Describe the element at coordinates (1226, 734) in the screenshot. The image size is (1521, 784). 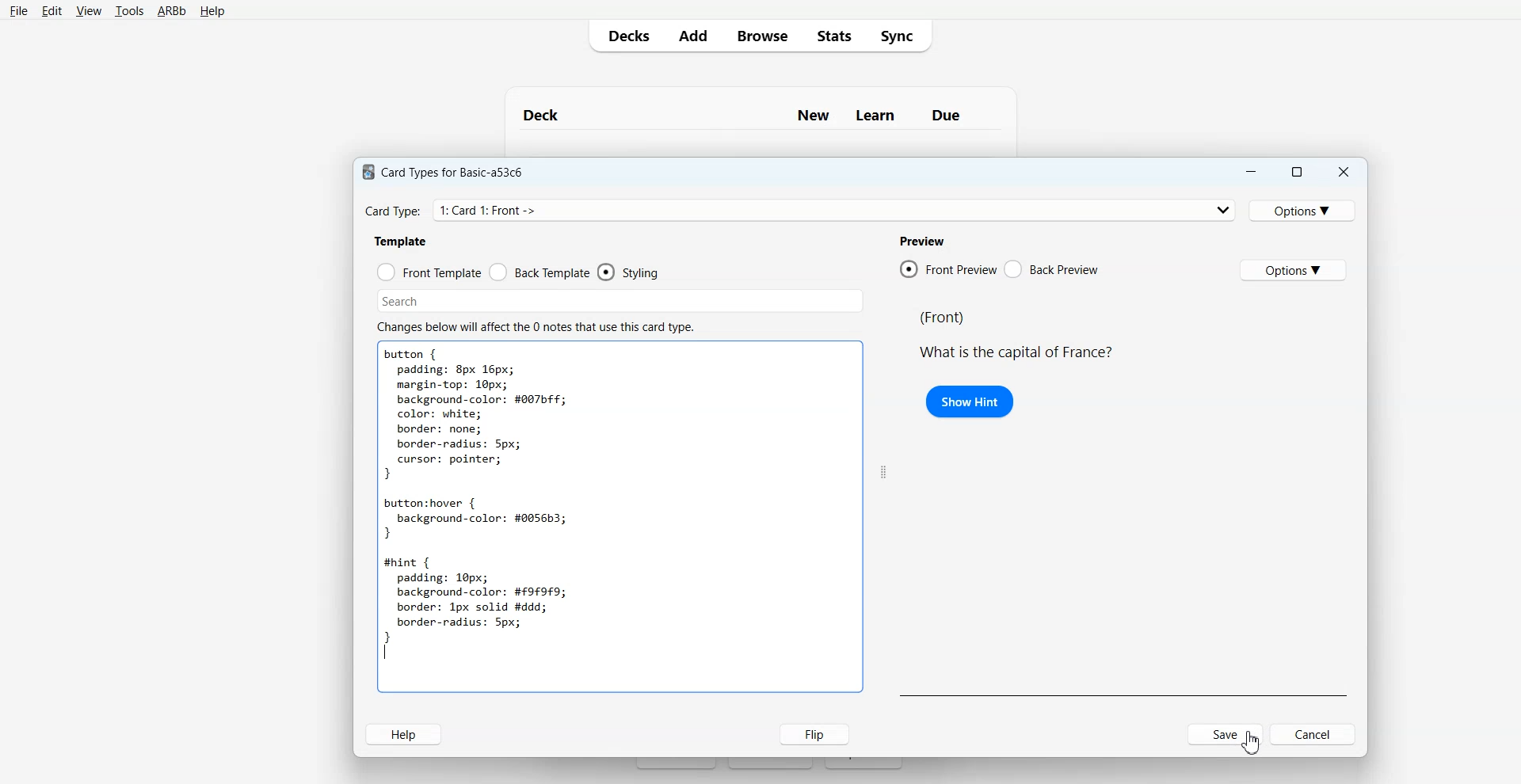
I see `Save` at that location.